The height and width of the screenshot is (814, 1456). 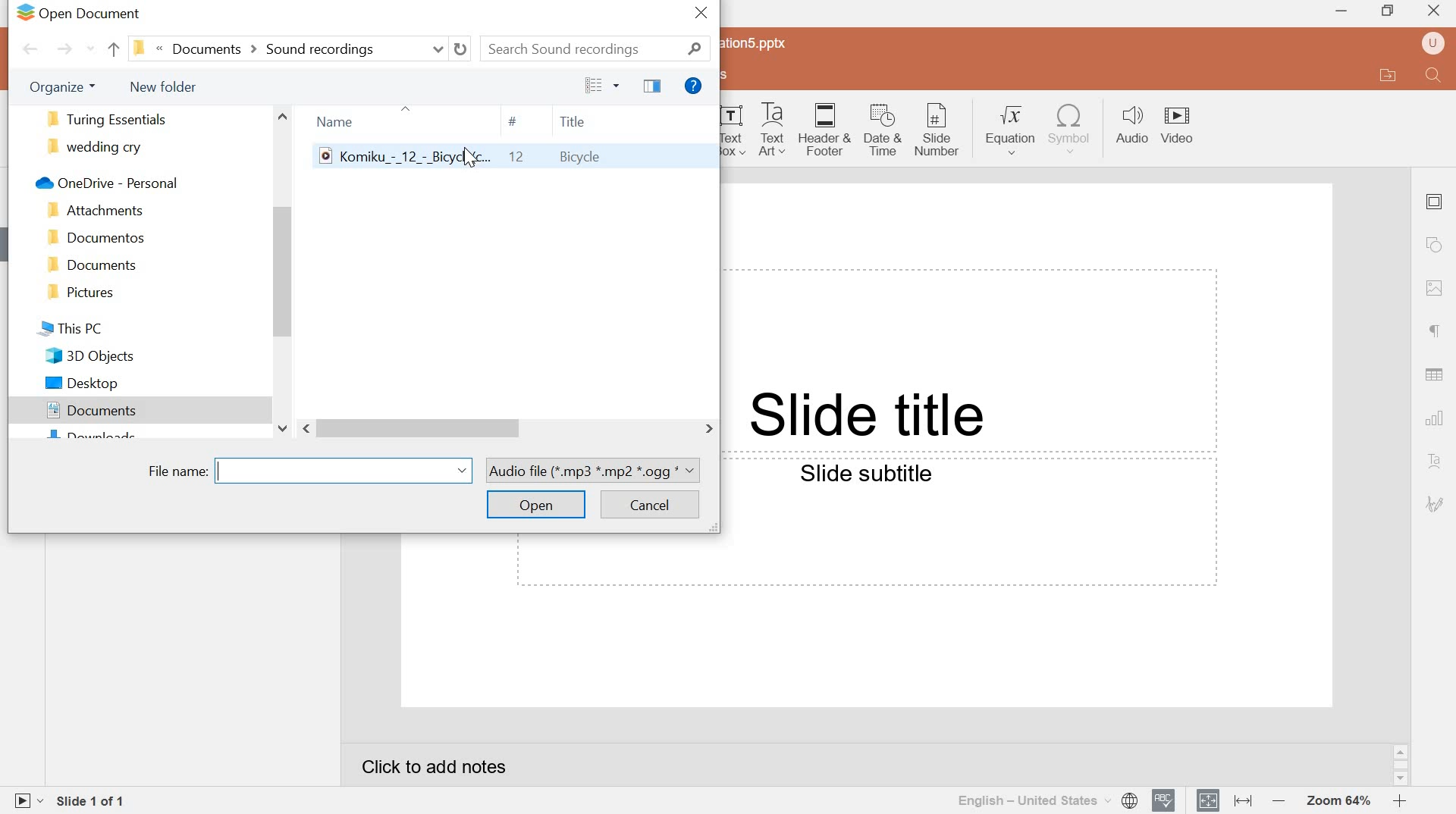 I want to click on 3d objects, so click(x=89, y=356).